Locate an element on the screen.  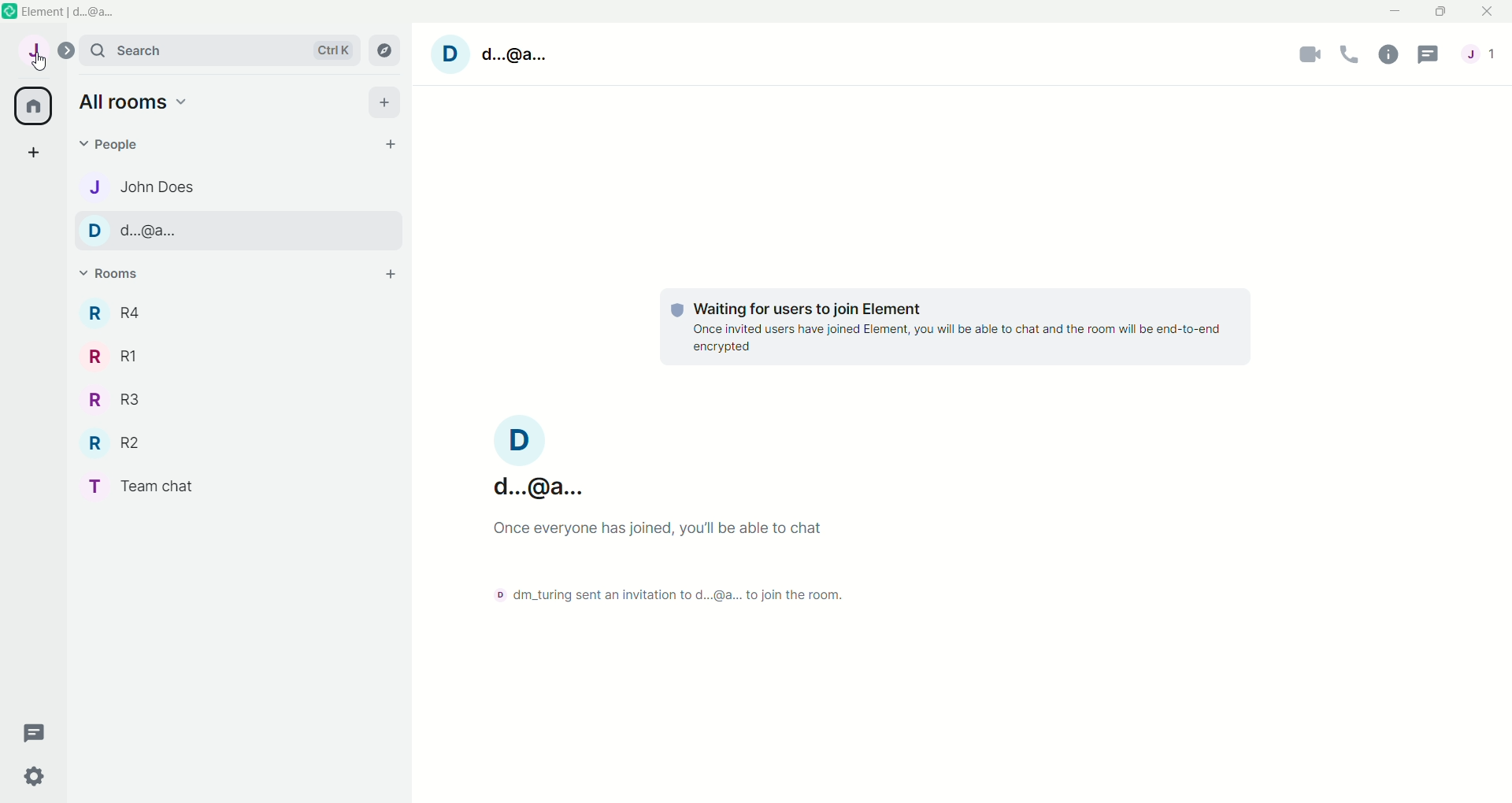
Element |@d.. is located at coordinates (74, 12).